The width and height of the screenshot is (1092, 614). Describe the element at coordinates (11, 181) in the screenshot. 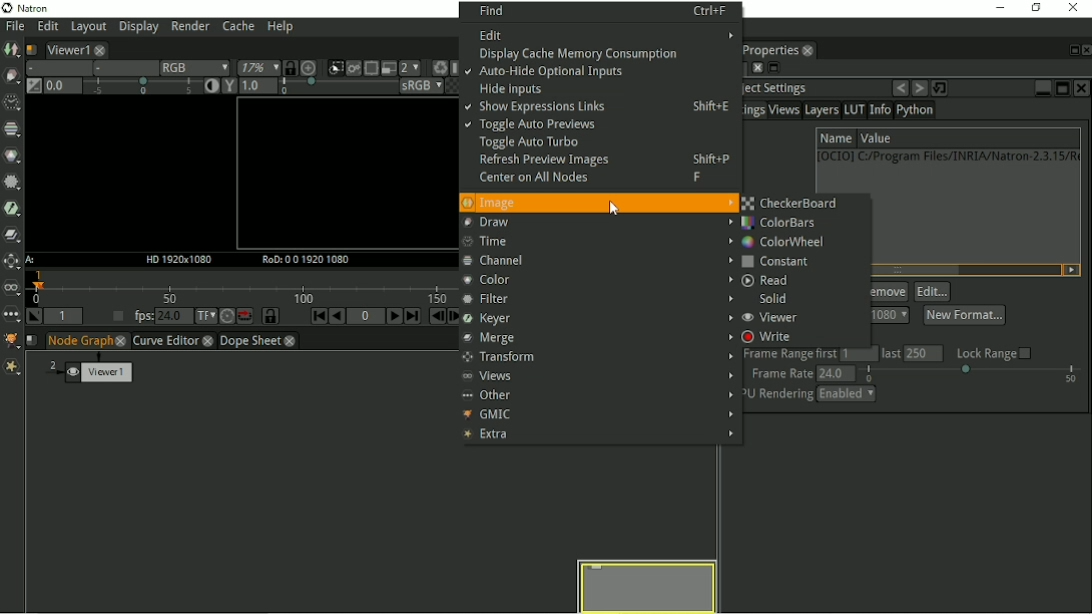

I see `Filter` at that location.